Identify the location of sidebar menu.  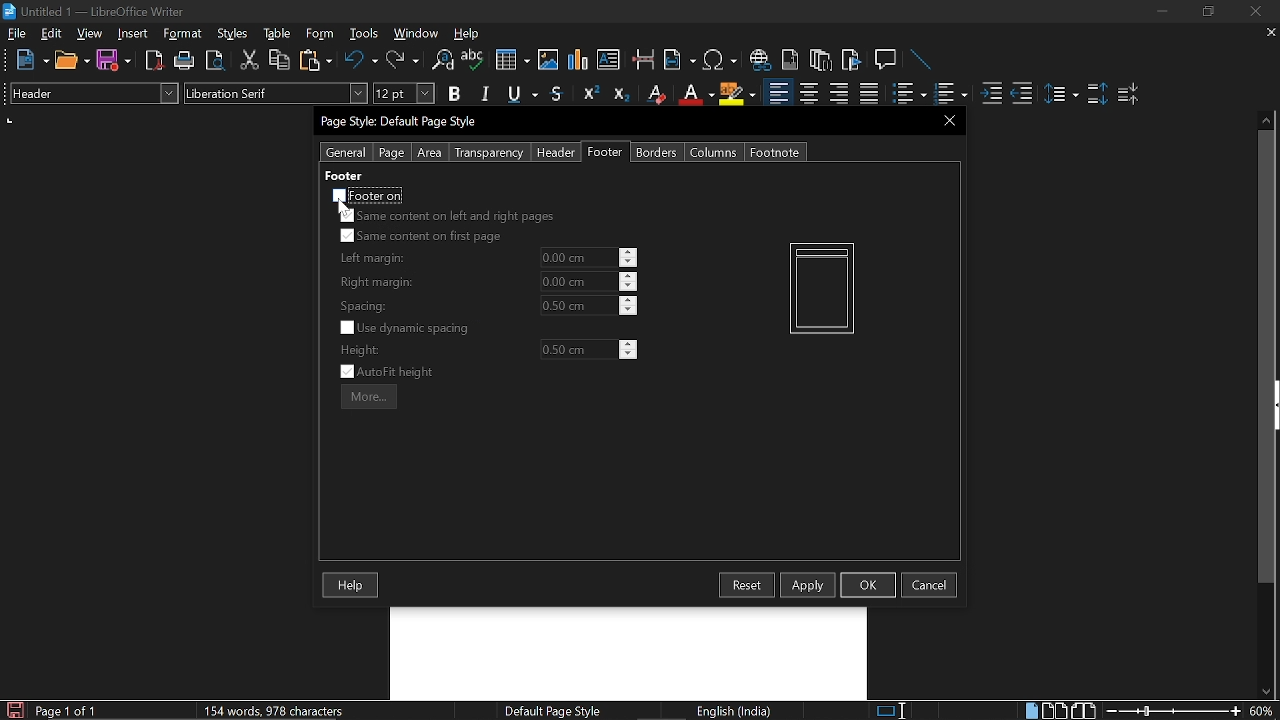
(1276, 405).